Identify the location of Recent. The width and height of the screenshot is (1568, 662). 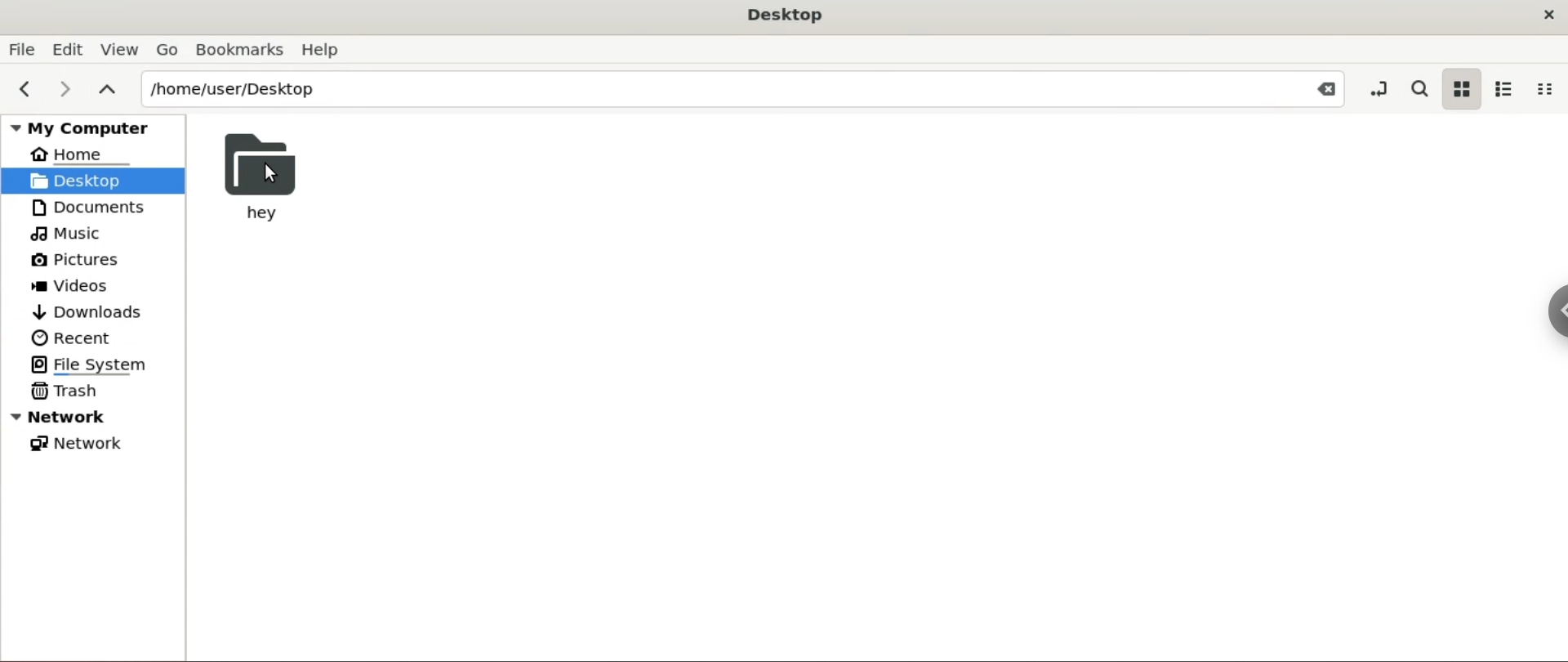
(69, 337).